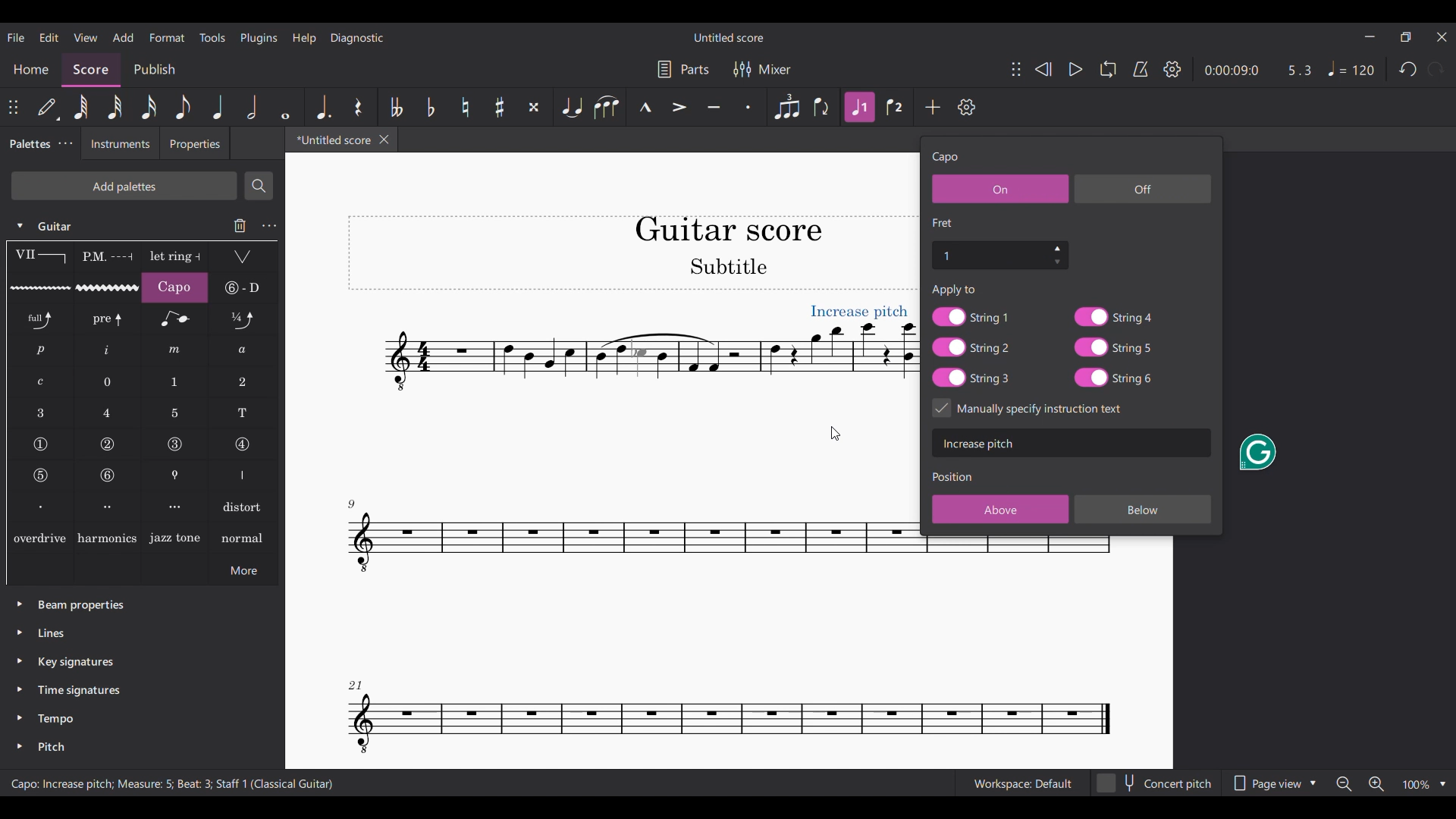 The image size is (1456, 819). I want to click on Zoom in, so click(1376, 784).